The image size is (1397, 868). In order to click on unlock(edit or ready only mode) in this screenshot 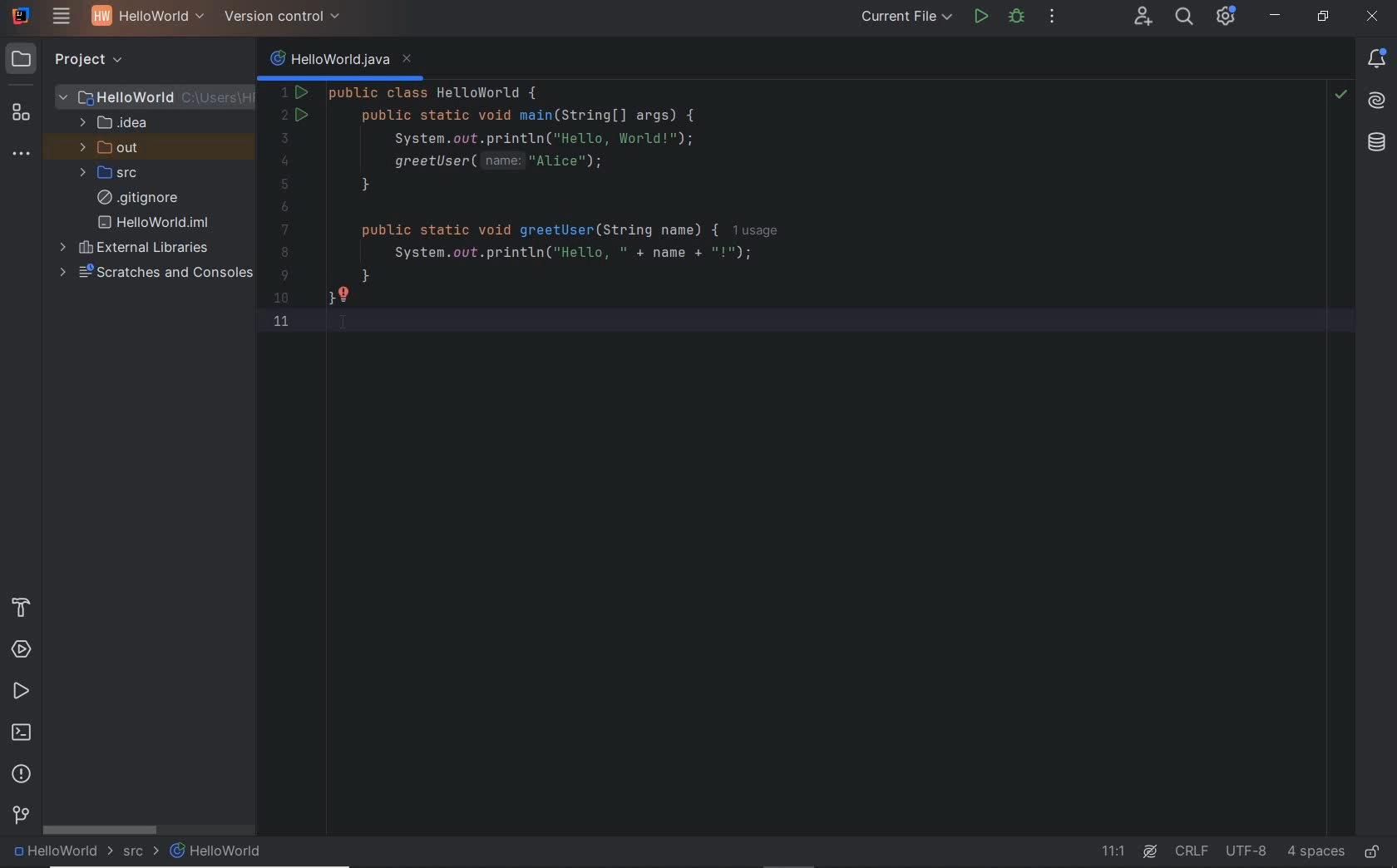, I will do `click(1372, 848)`.